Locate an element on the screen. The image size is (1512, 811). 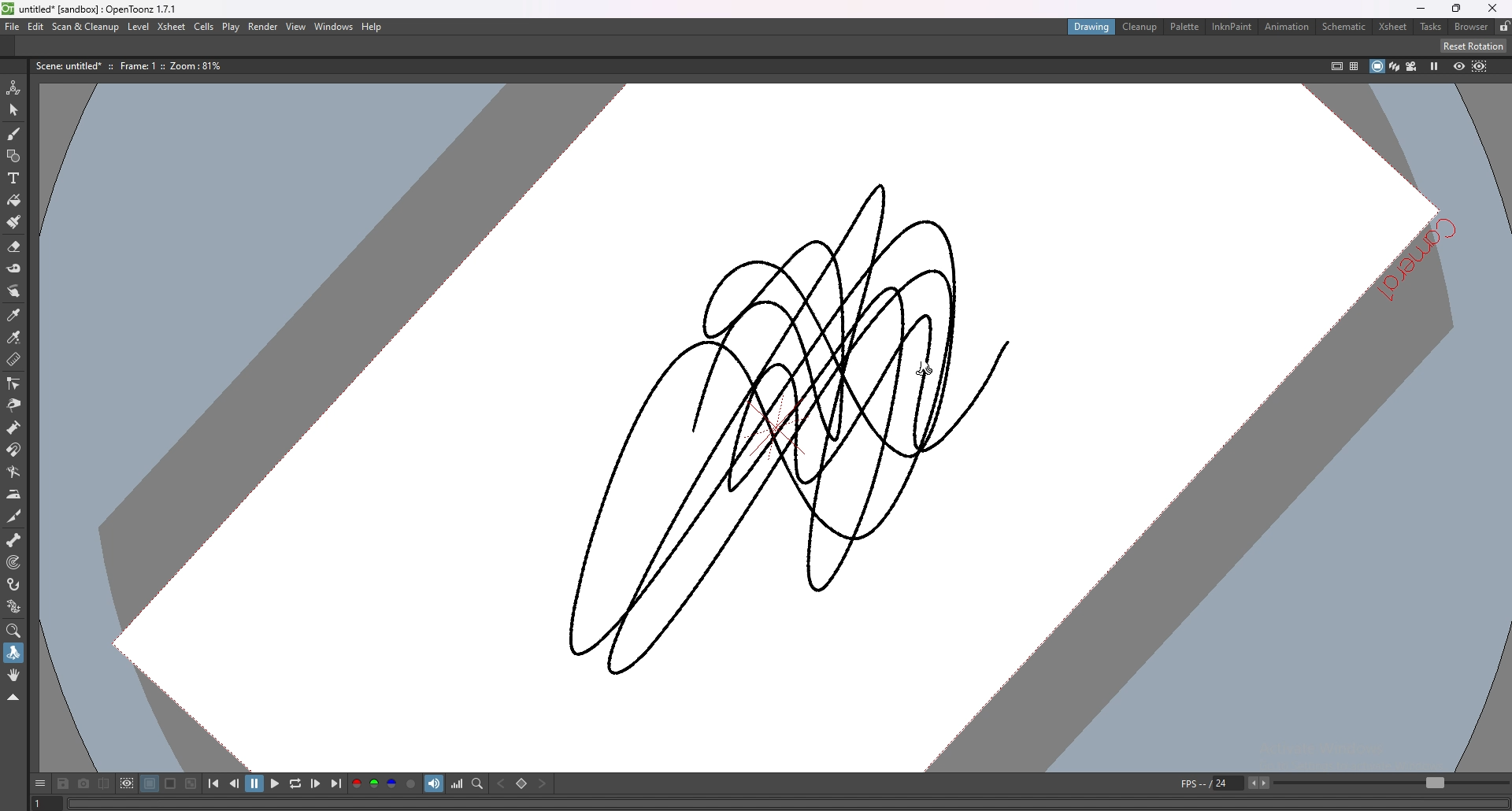
tasks is located at coordinates (1430, 27).